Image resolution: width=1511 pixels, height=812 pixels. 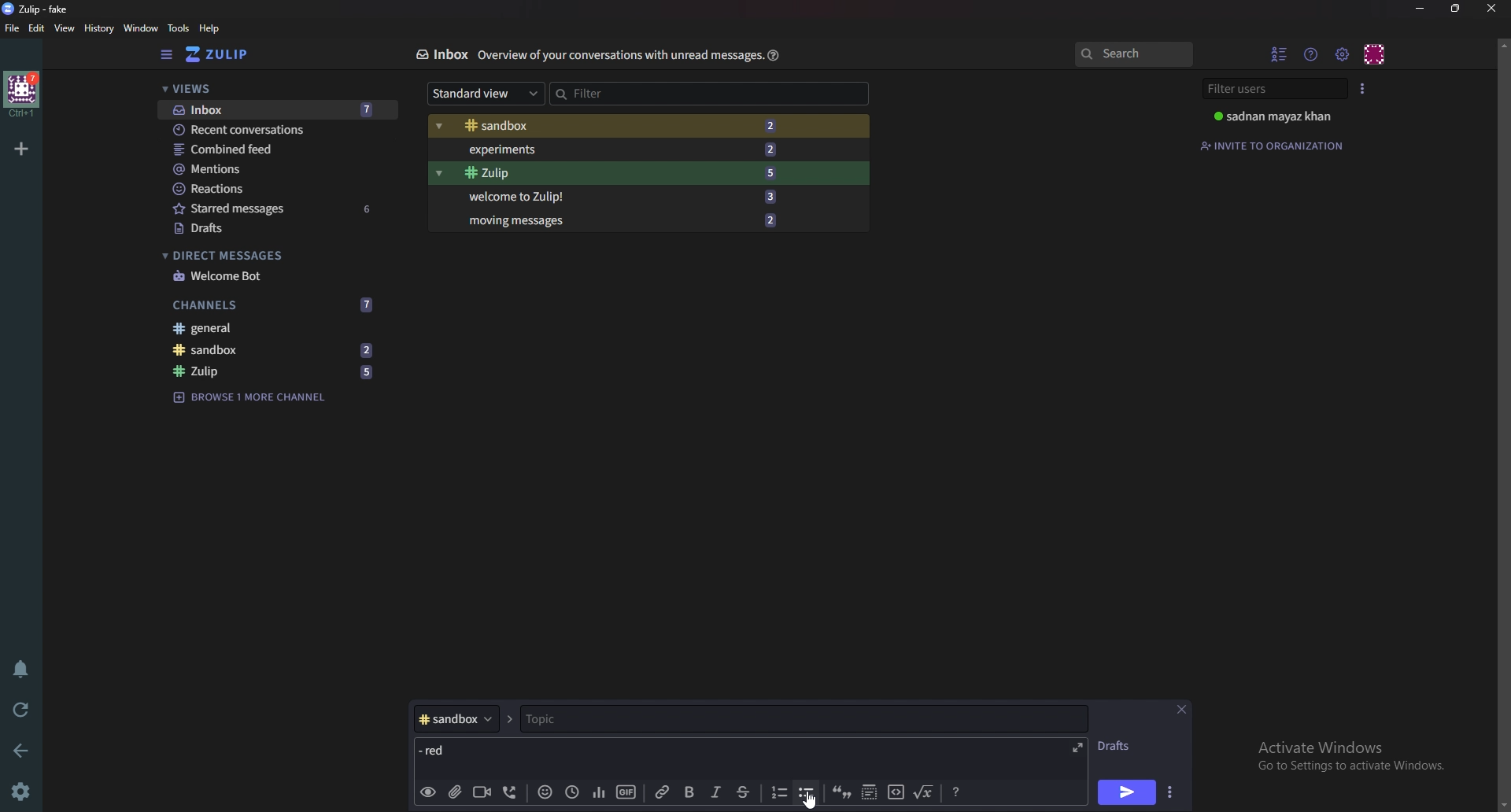 What do you see at coordinates (268, 327) in the screenshot?
I see `General` at bounding box center [268, 327].